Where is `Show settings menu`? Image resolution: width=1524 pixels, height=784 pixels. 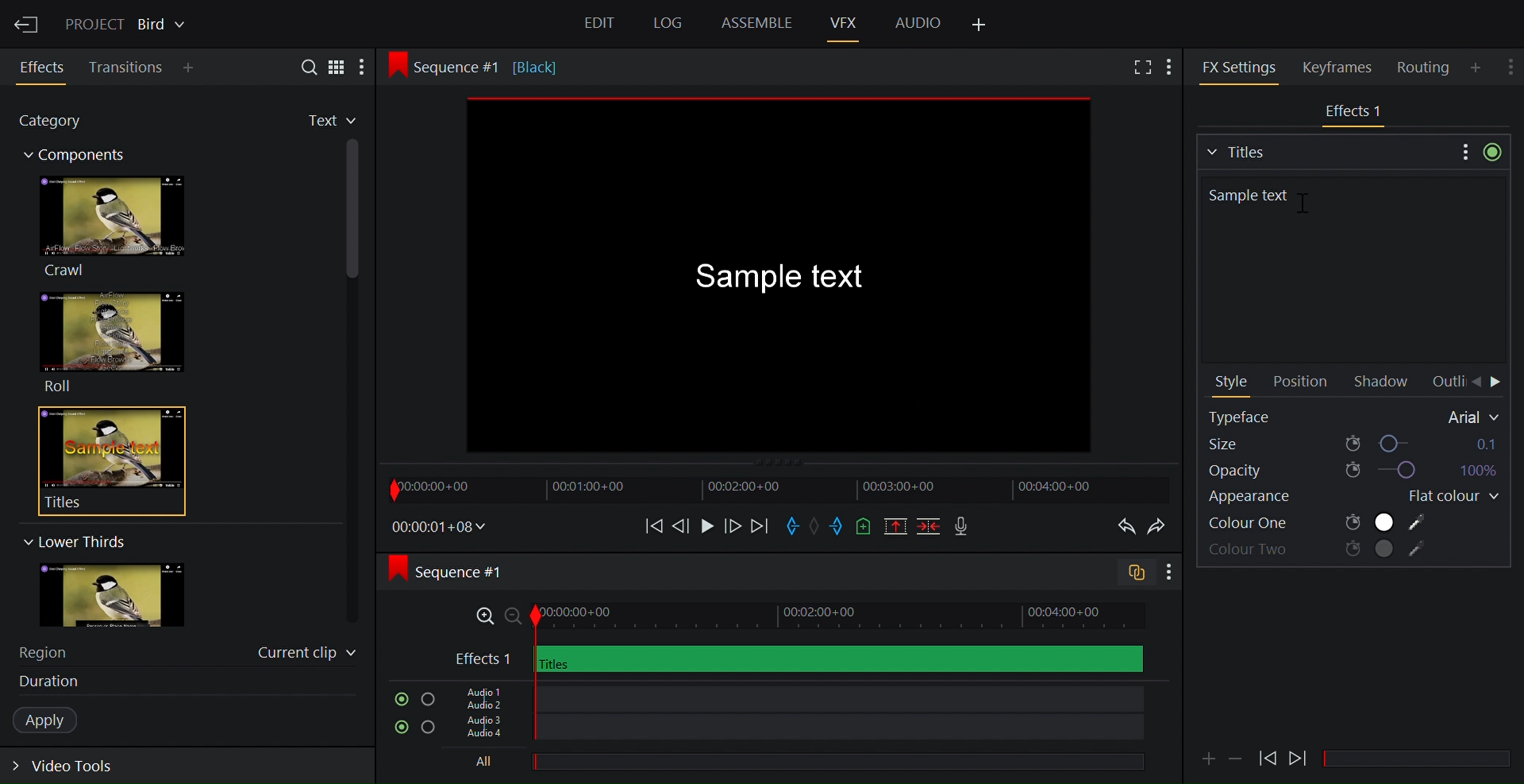 Show settings menu is located at coordinates (1168, 573).